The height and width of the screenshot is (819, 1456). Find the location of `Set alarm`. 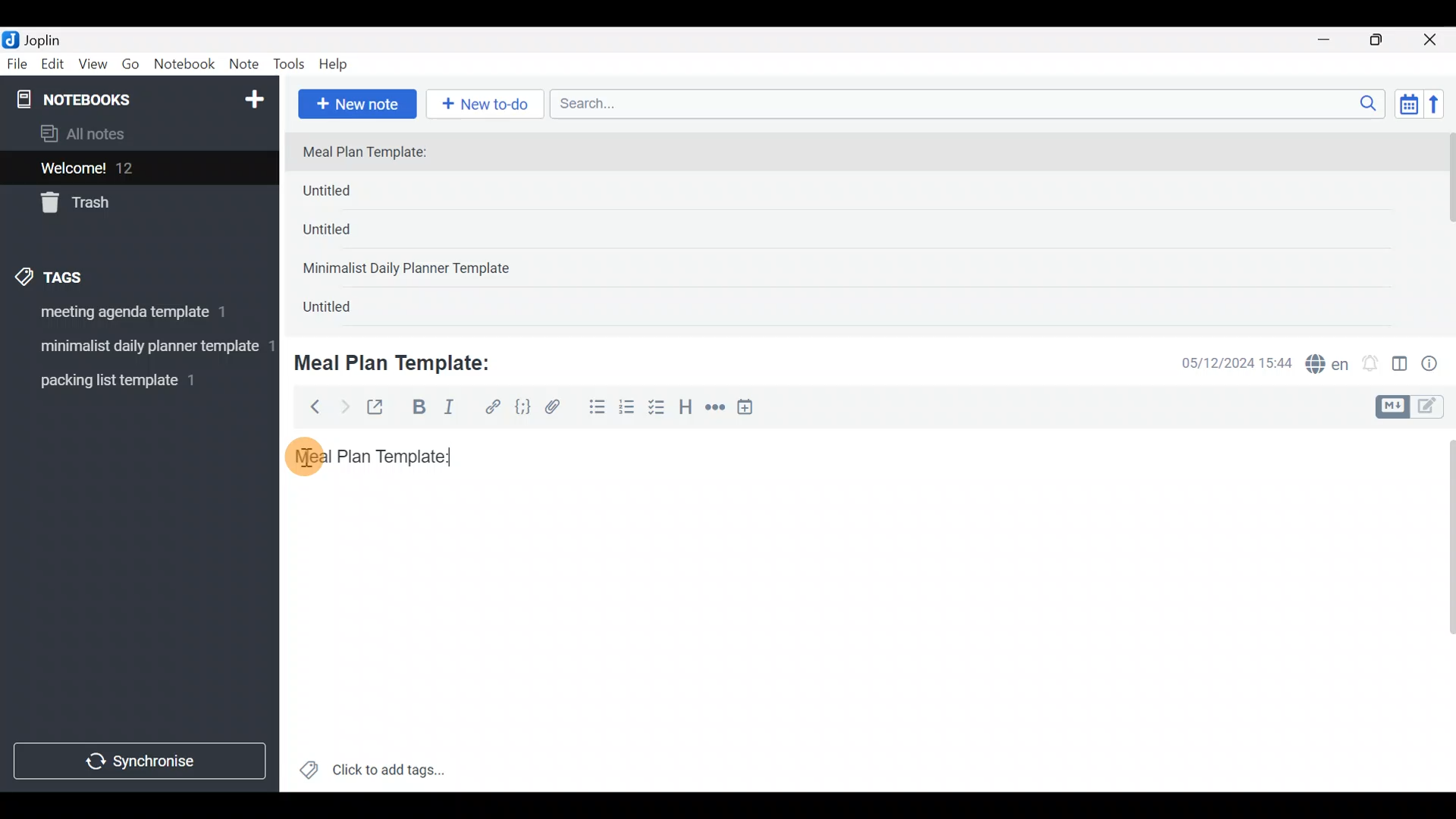

Set alarm is located at coordinates (1371, 365).